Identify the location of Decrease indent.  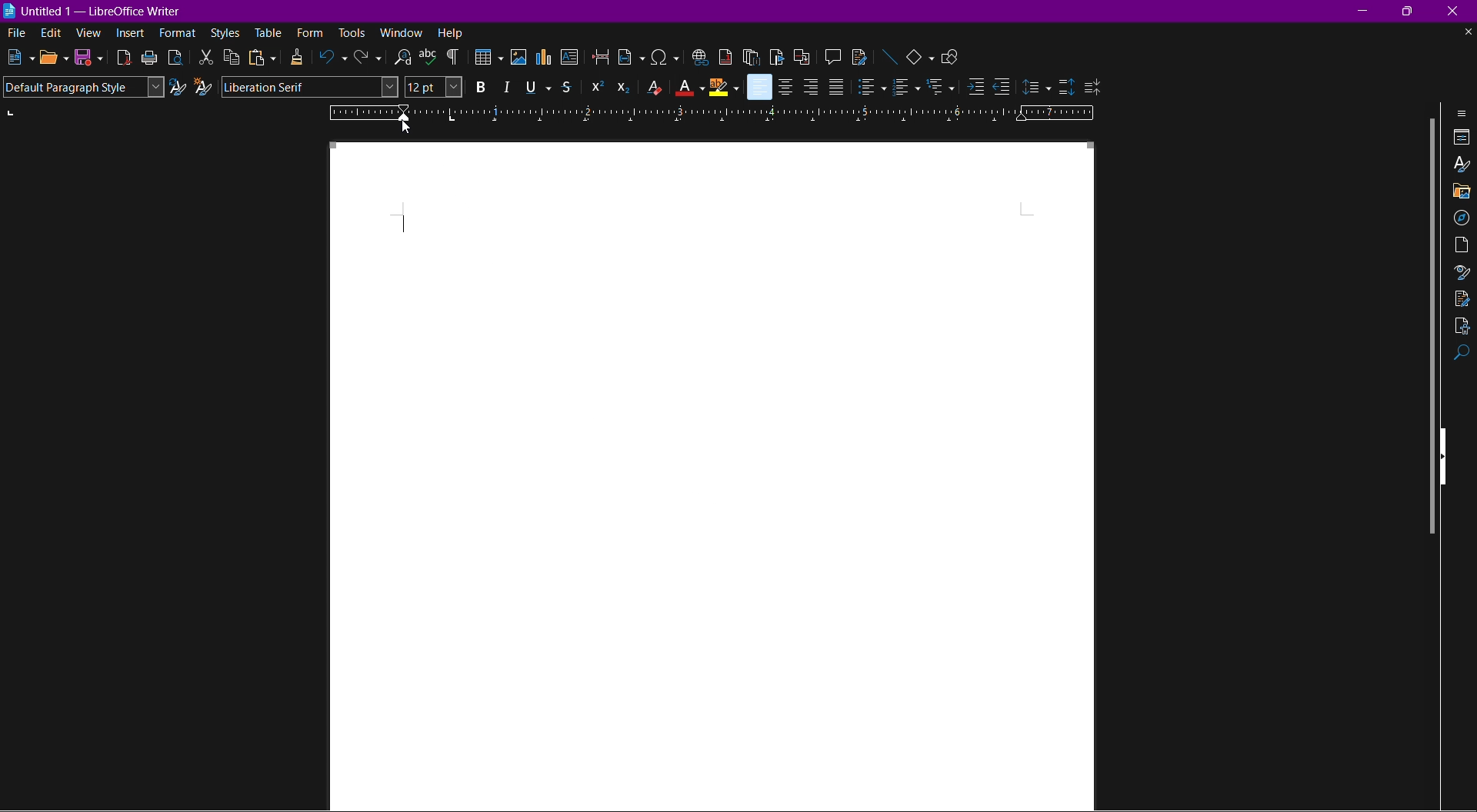
(1004, 88).